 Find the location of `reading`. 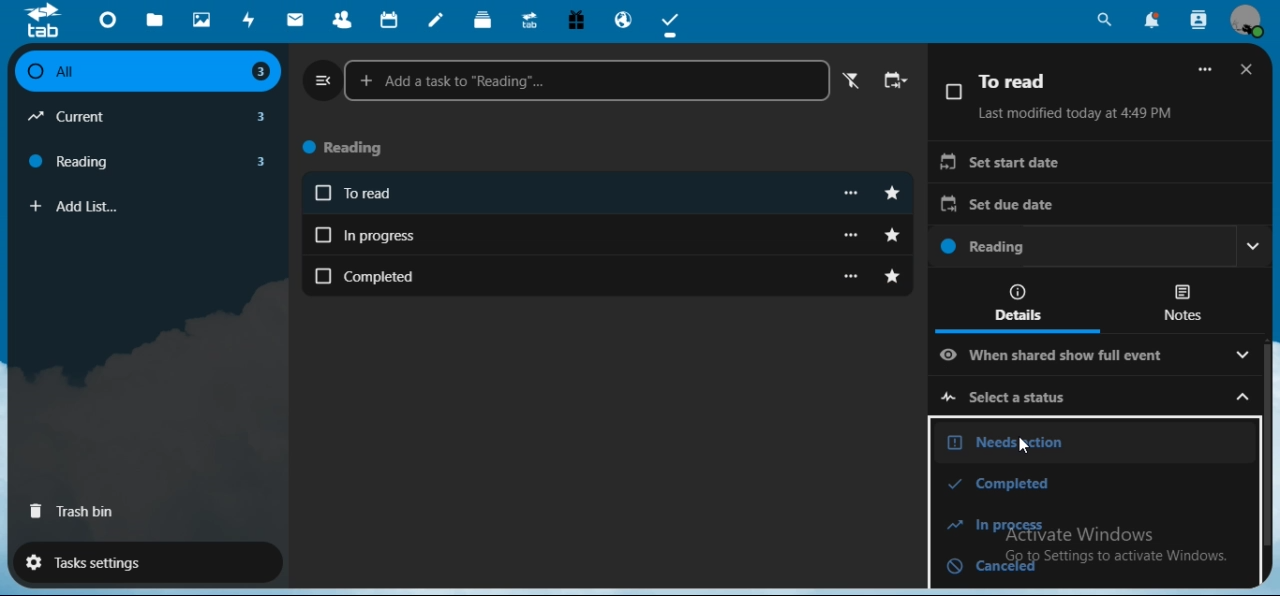

reading is located at coordinates (150, 160).